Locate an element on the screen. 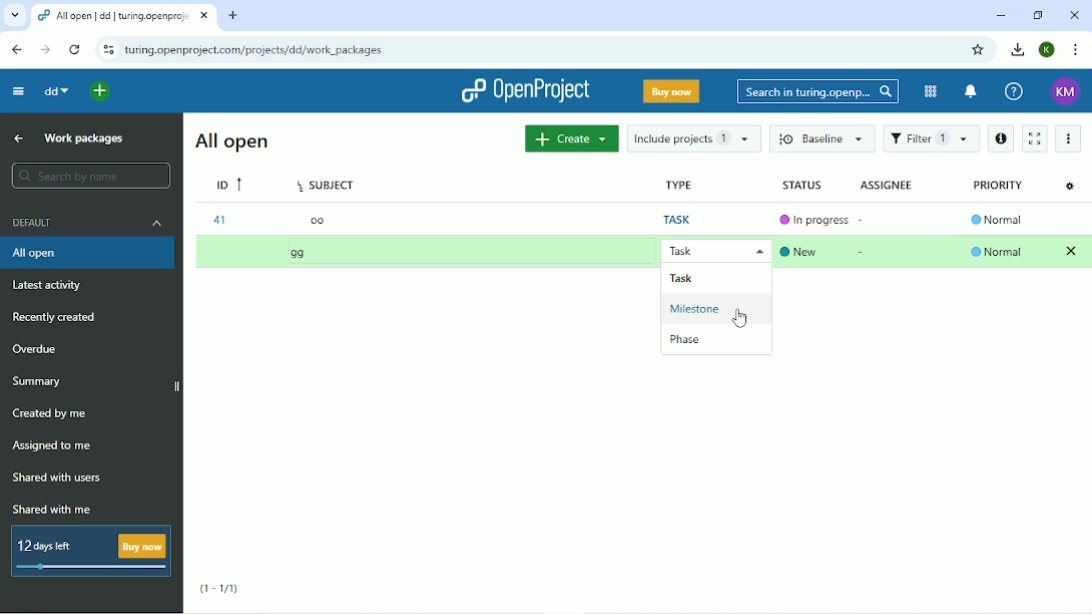 The width and height of the screenshot is (1092, 614). Task is located at coordinates (675, 220).